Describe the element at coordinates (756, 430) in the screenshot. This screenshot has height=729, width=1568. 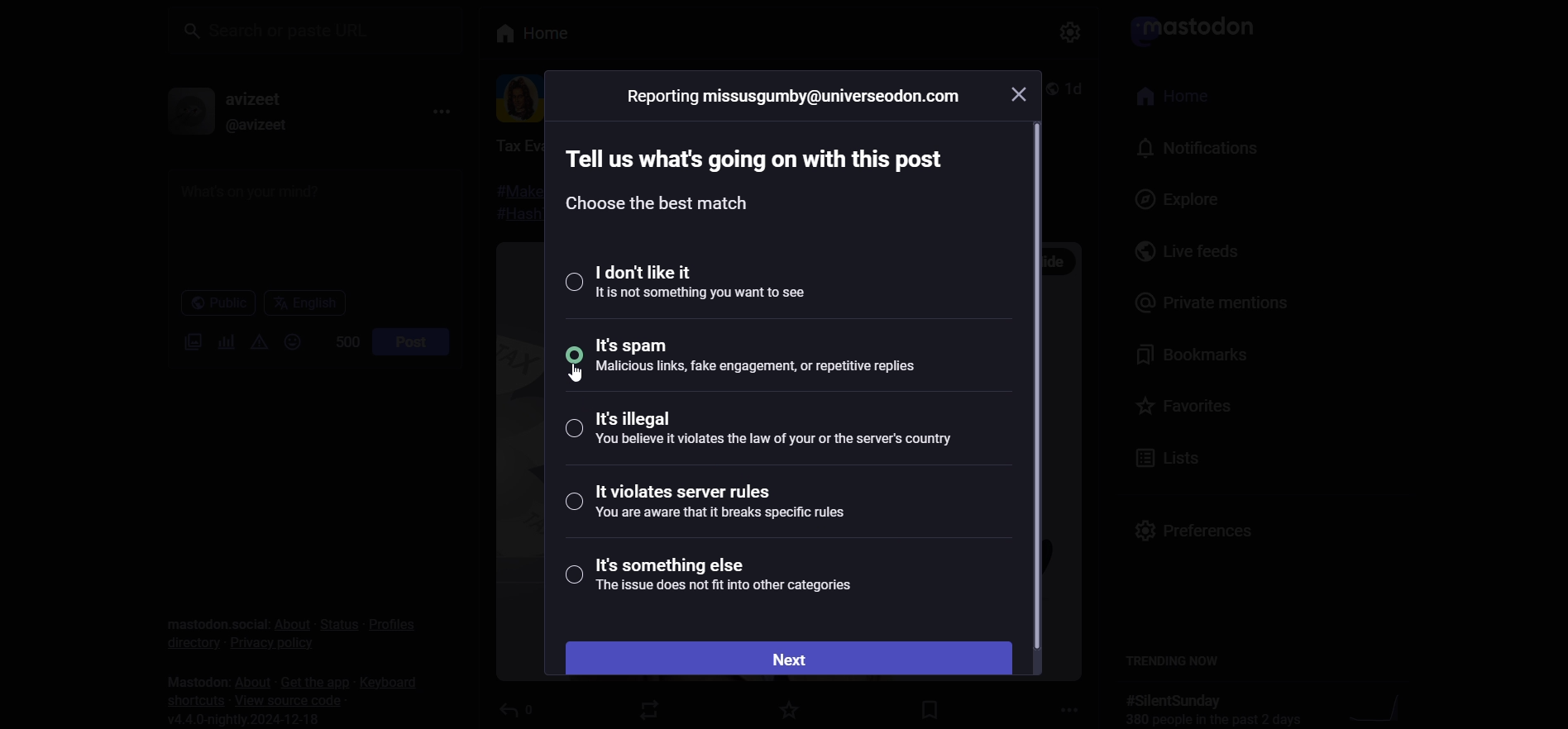
I see `illegal` at that location.